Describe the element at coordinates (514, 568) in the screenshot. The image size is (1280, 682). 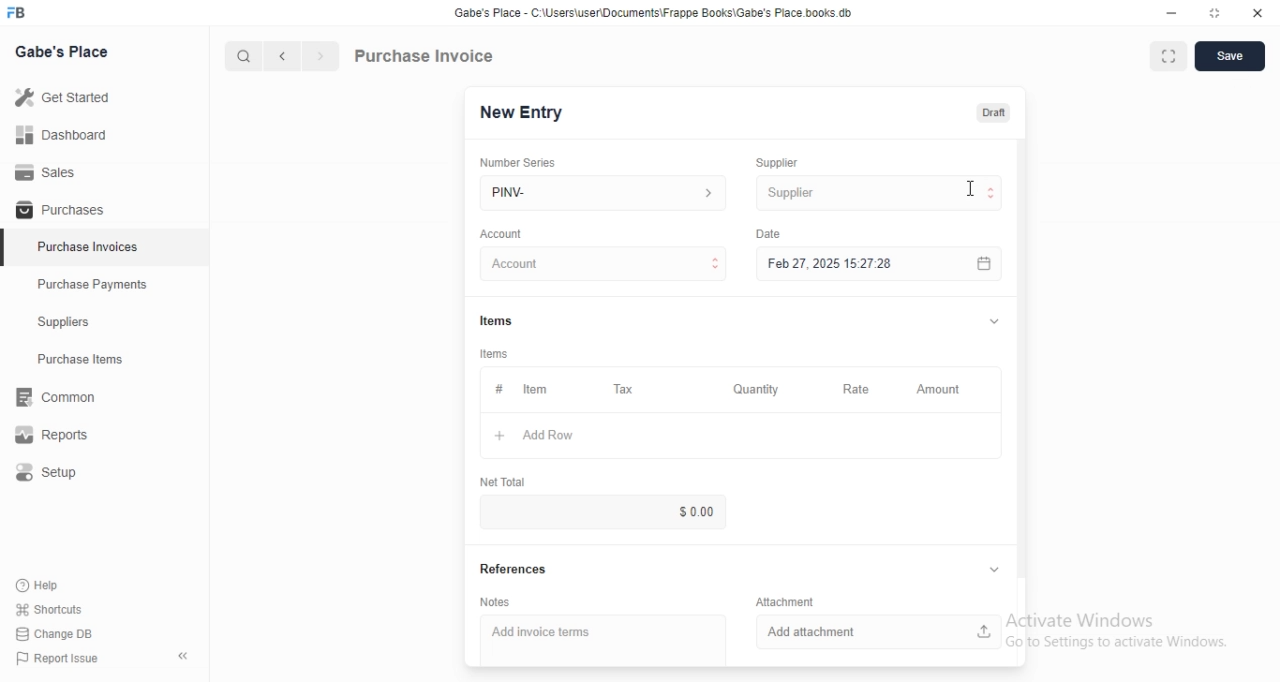
I see `References` at that location.